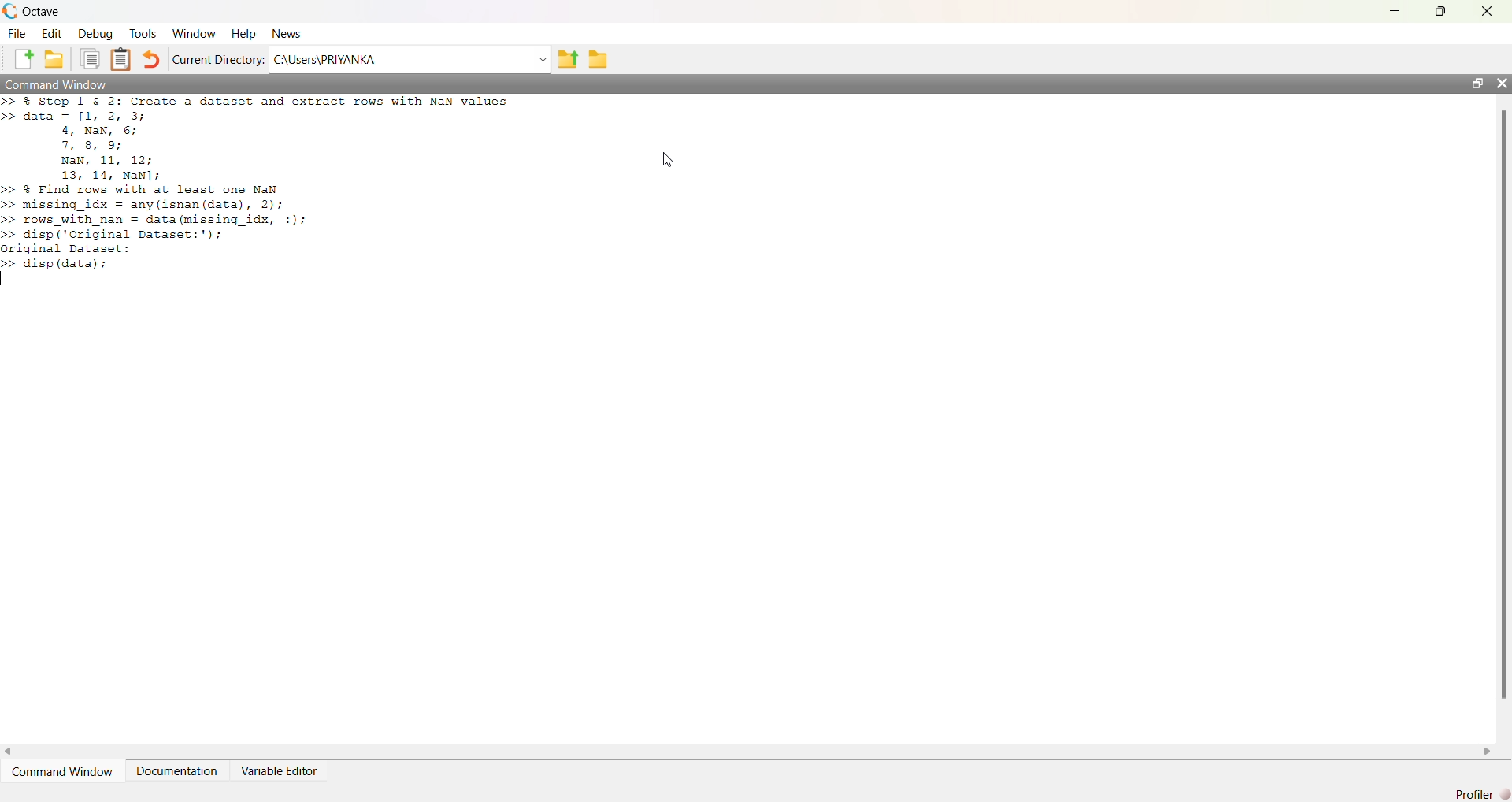 The width and height of the screenshot is (1512, 802). I want to click on folder, so click(598, 60).